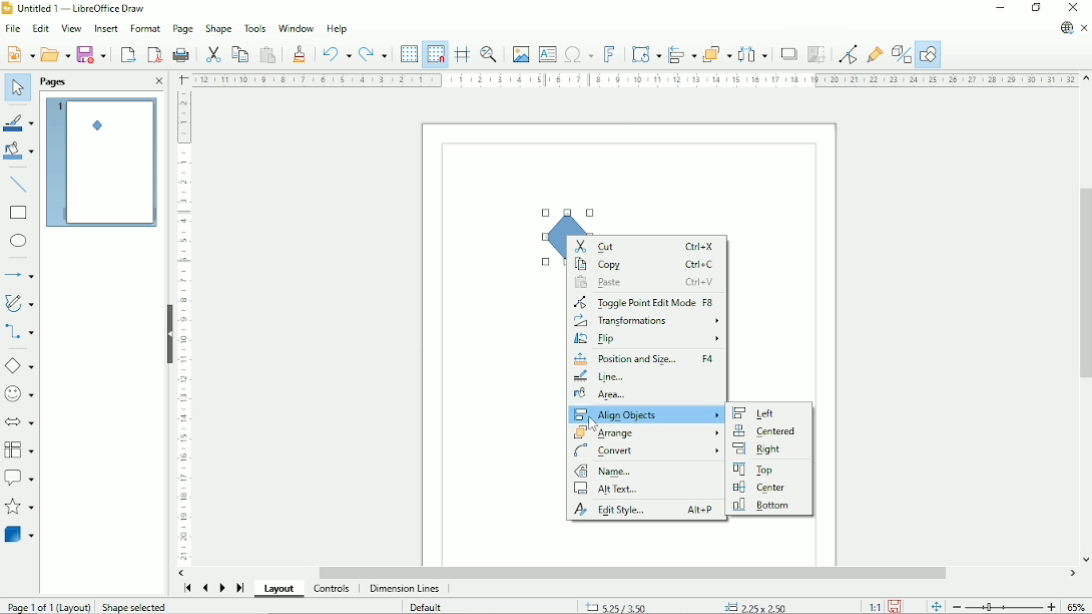  I want to click on Save, so click(93, 54).